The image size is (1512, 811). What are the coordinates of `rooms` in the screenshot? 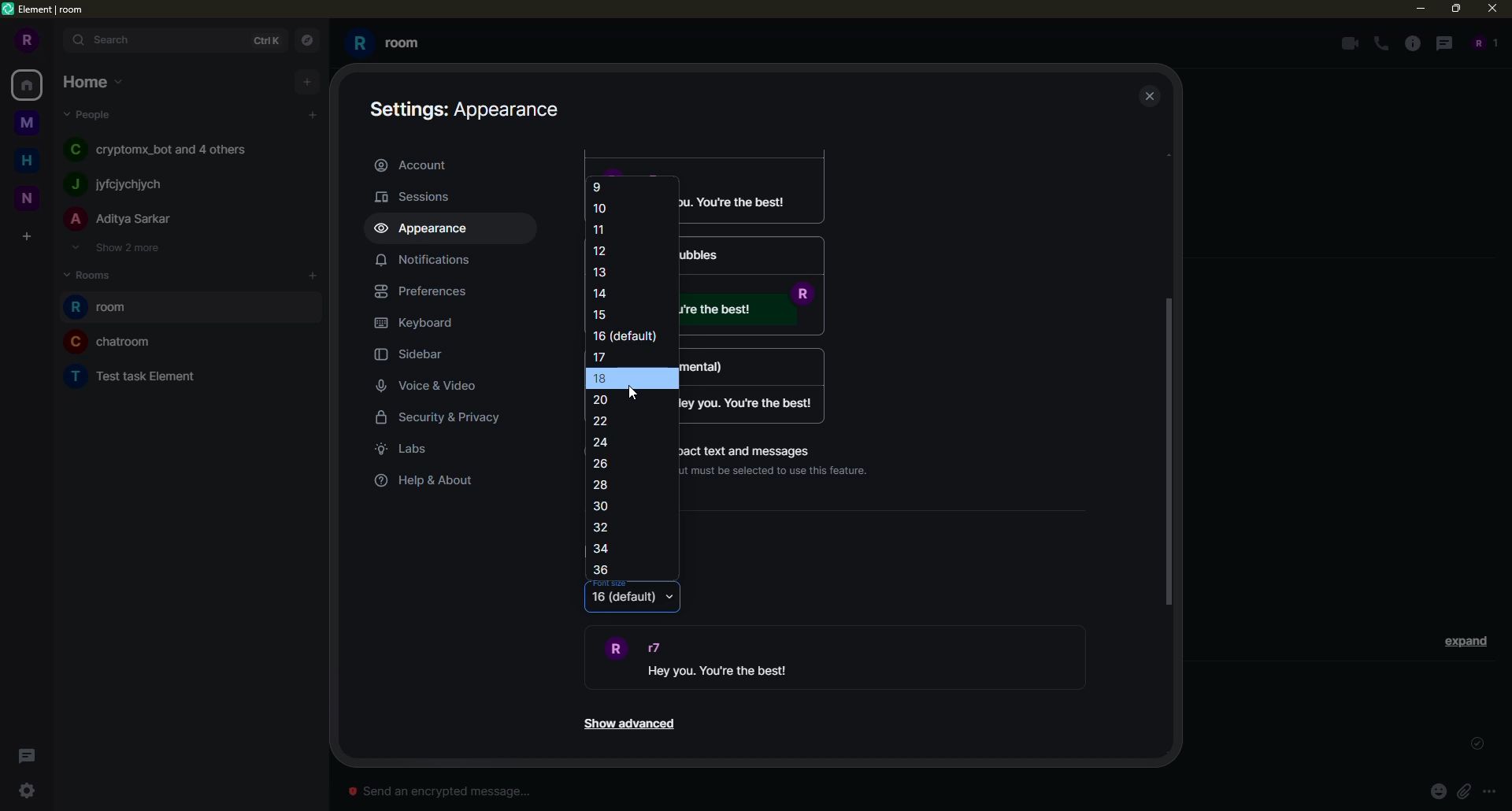 It's located at (94, 273).